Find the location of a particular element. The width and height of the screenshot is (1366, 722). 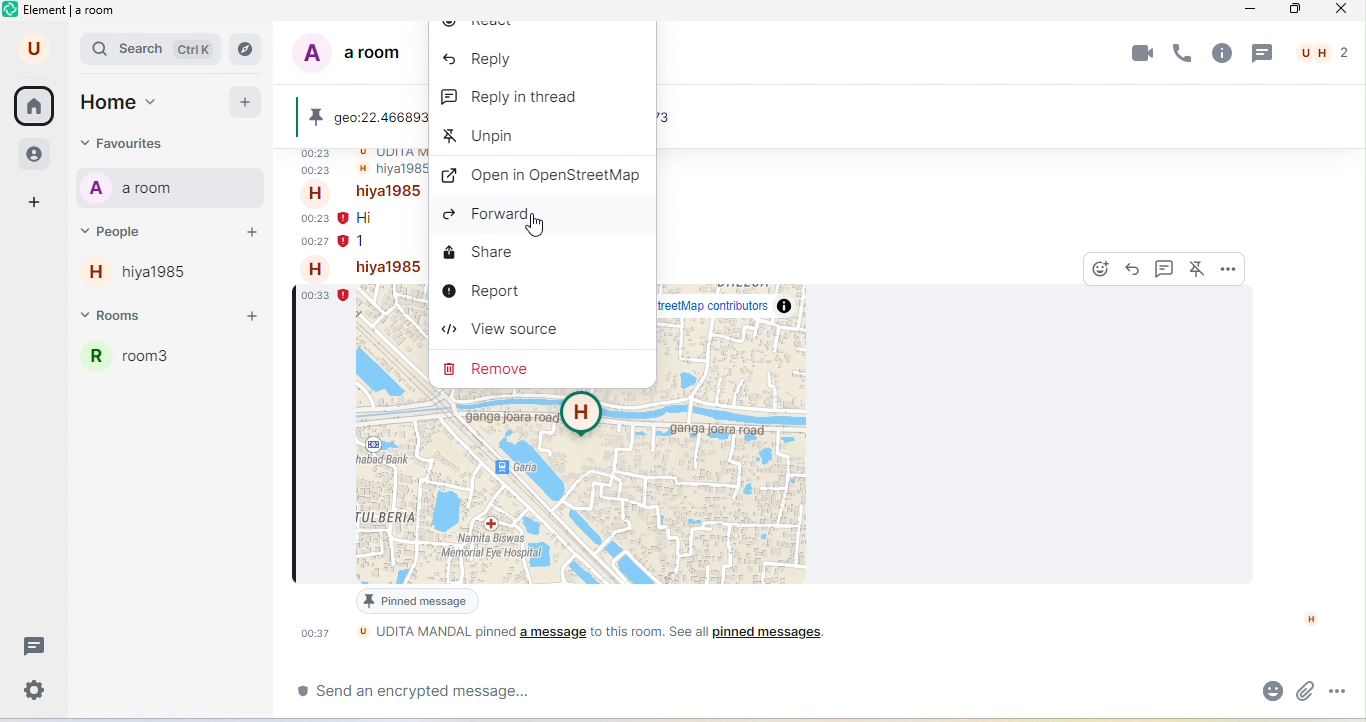

open in open street map is located at coordinates (543, 176).